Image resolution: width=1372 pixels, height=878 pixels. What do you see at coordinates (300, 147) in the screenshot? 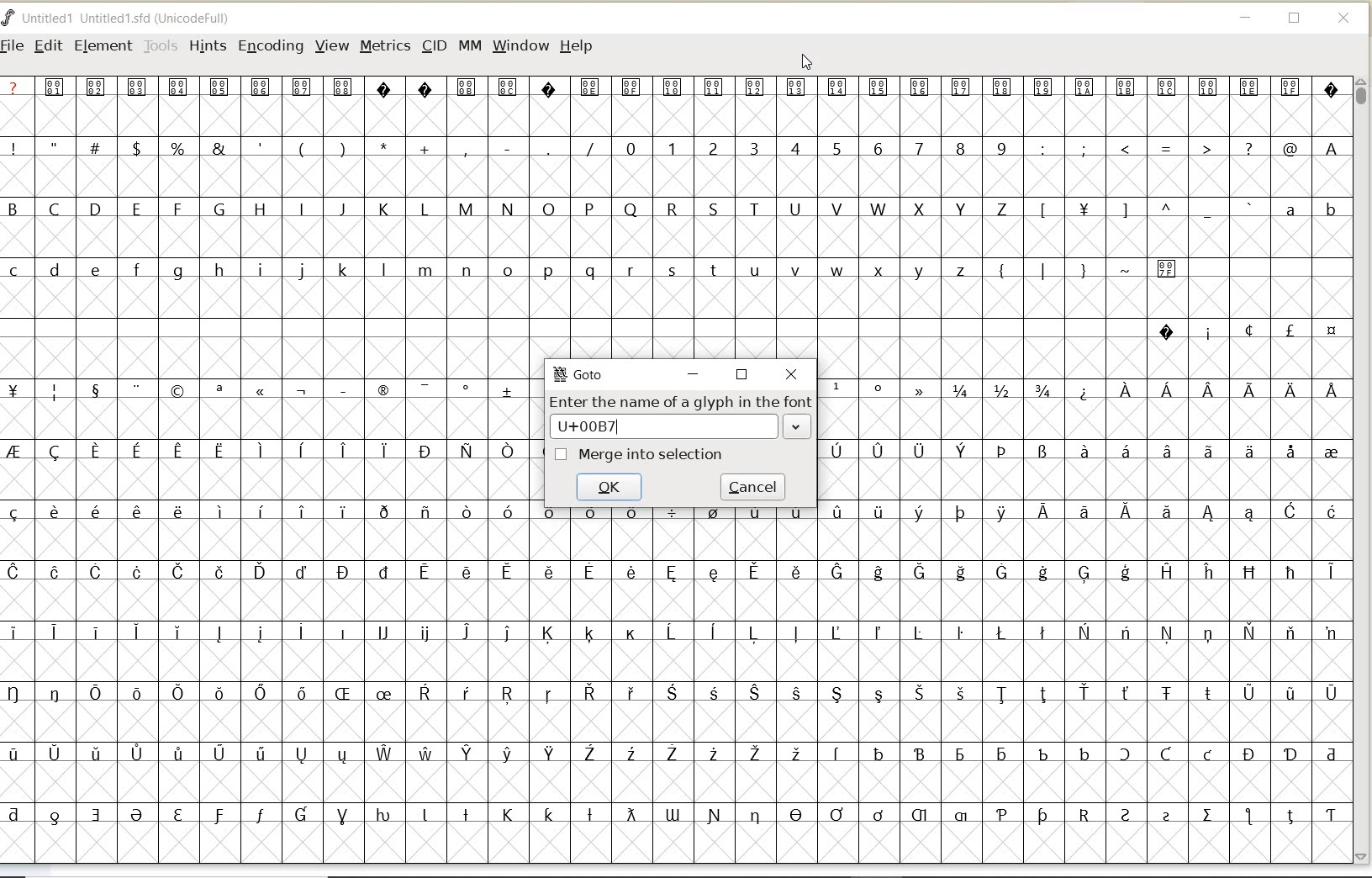
I see `special characters` at bounding box center [300, 147].